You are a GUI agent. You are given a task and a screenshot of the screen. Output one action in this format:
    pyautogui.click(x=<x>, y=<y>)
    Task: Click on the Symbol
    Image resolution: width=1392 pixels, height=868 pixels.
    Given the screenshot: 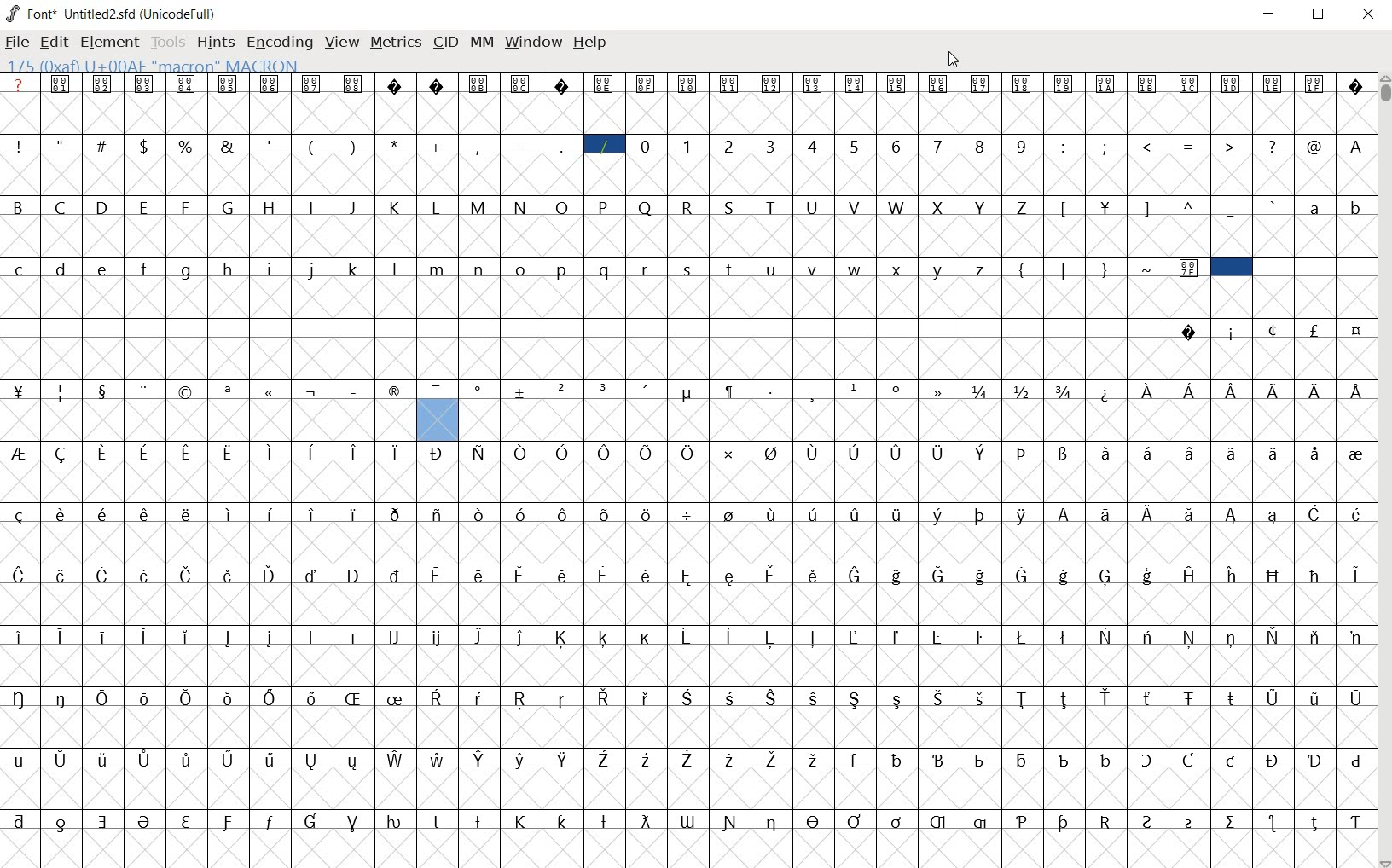 What is the action you would take?
    pyautogui.click(x=687, y=512)
    